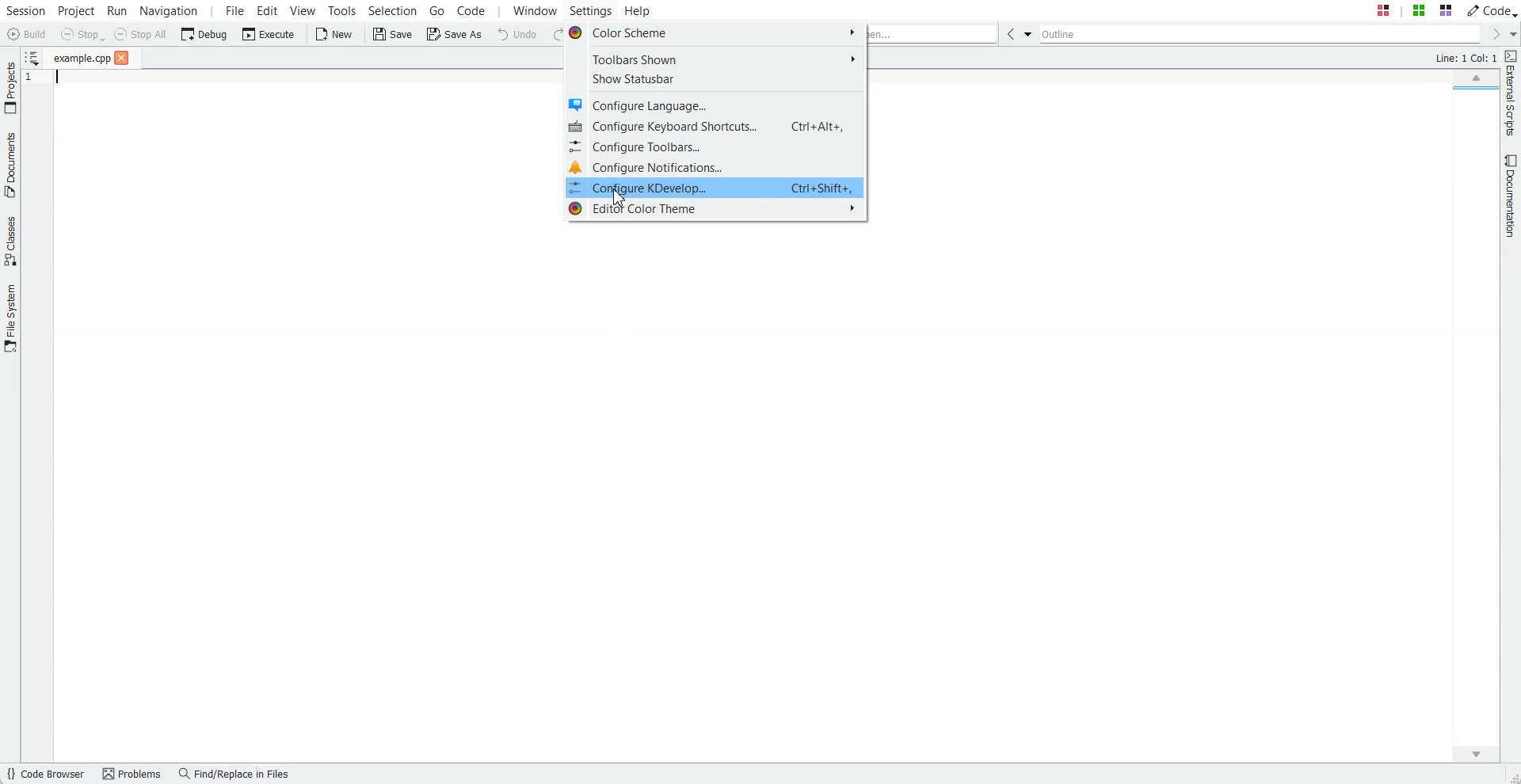  What do you see at coordinates (10, 243) in the screenshot?
I see `Classes` at bounding box center [10, 243].